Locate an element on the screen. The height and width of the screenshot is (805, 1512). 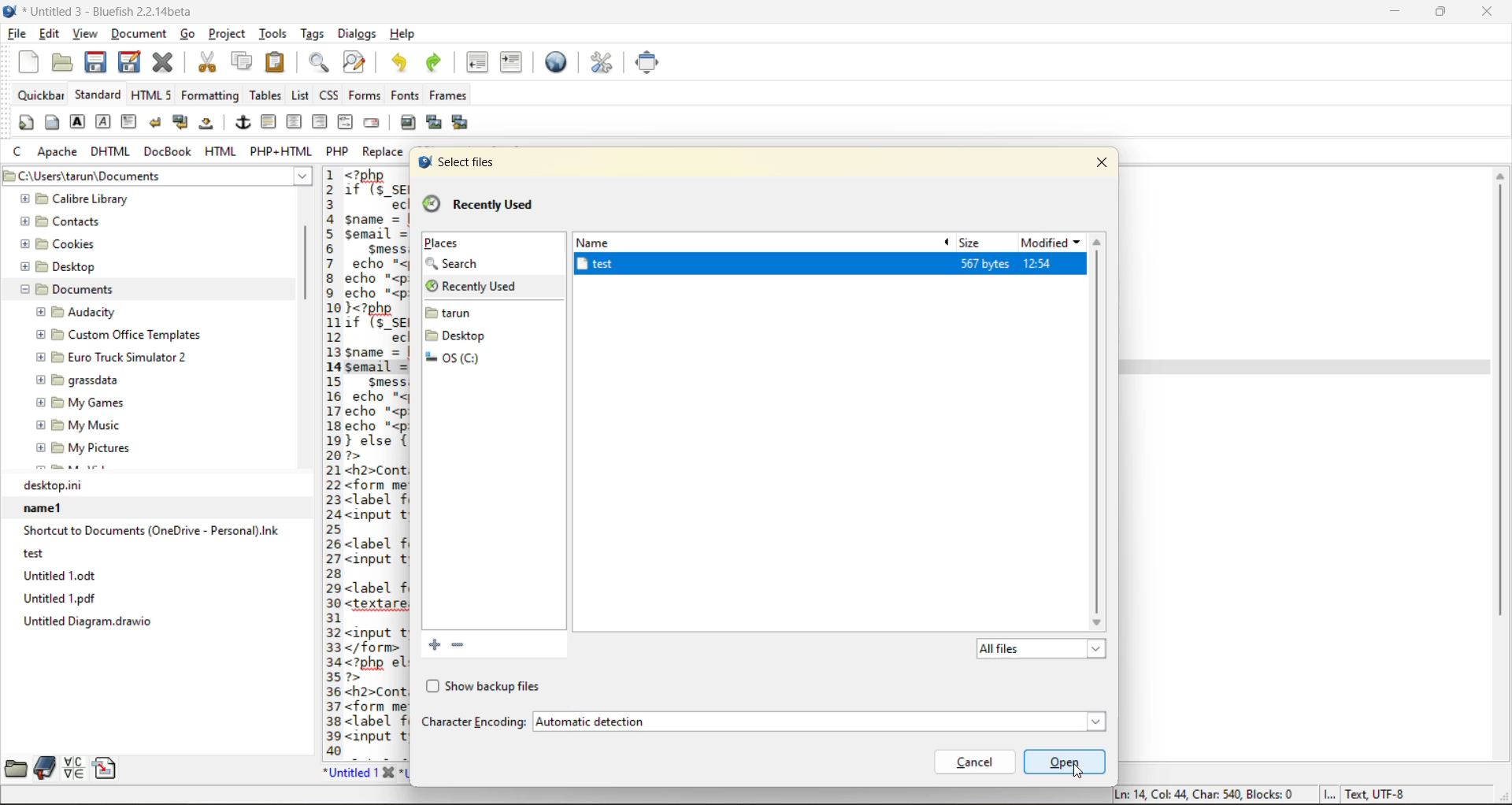
close current file is located at coordinates (166, 63).